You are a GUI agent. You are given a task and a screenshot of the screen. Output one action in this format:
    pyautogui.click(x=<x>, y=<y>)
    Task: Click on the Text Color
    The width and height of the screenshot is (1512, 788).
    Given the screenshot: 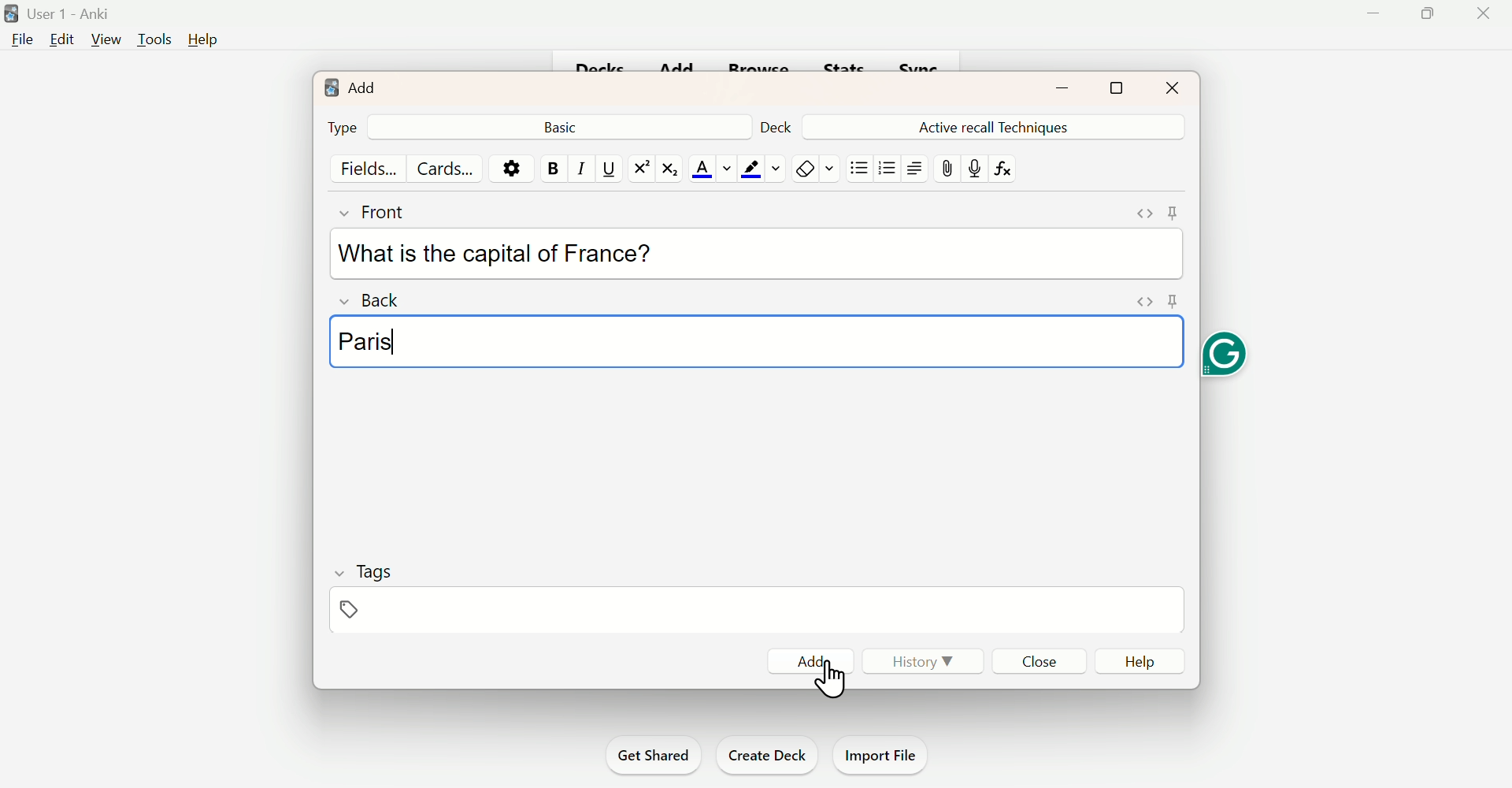 What is the action you would take?
    pyautogui.click(x=708, y=167)
    